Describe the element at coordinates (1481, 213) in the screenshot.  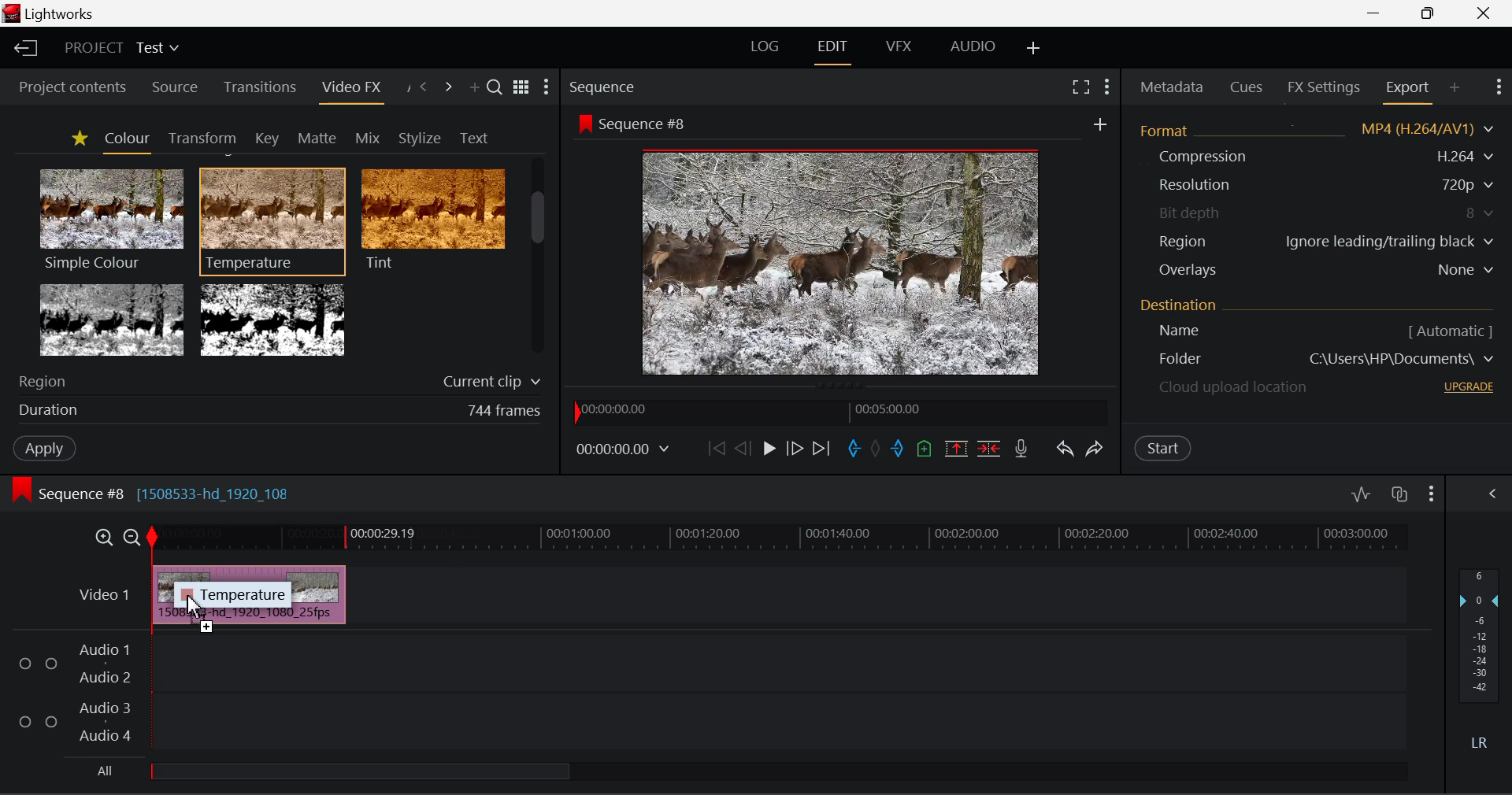
I see `8 ` at that location.